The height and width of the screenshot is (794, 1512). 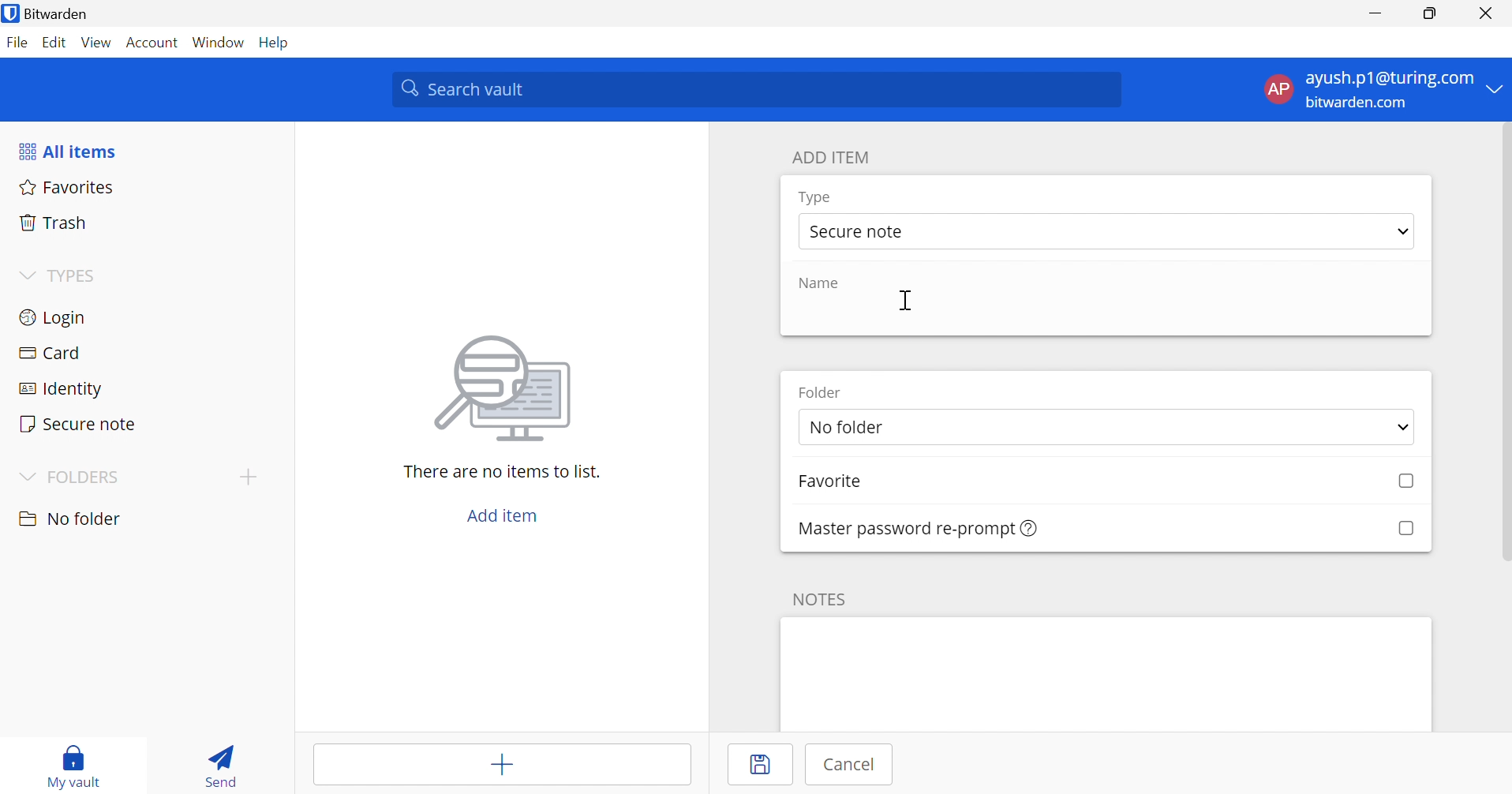 What do you see at coordinates (10, 13) in the screenshot?
I see `bitwarden logo` at bounding box center [10, 13].